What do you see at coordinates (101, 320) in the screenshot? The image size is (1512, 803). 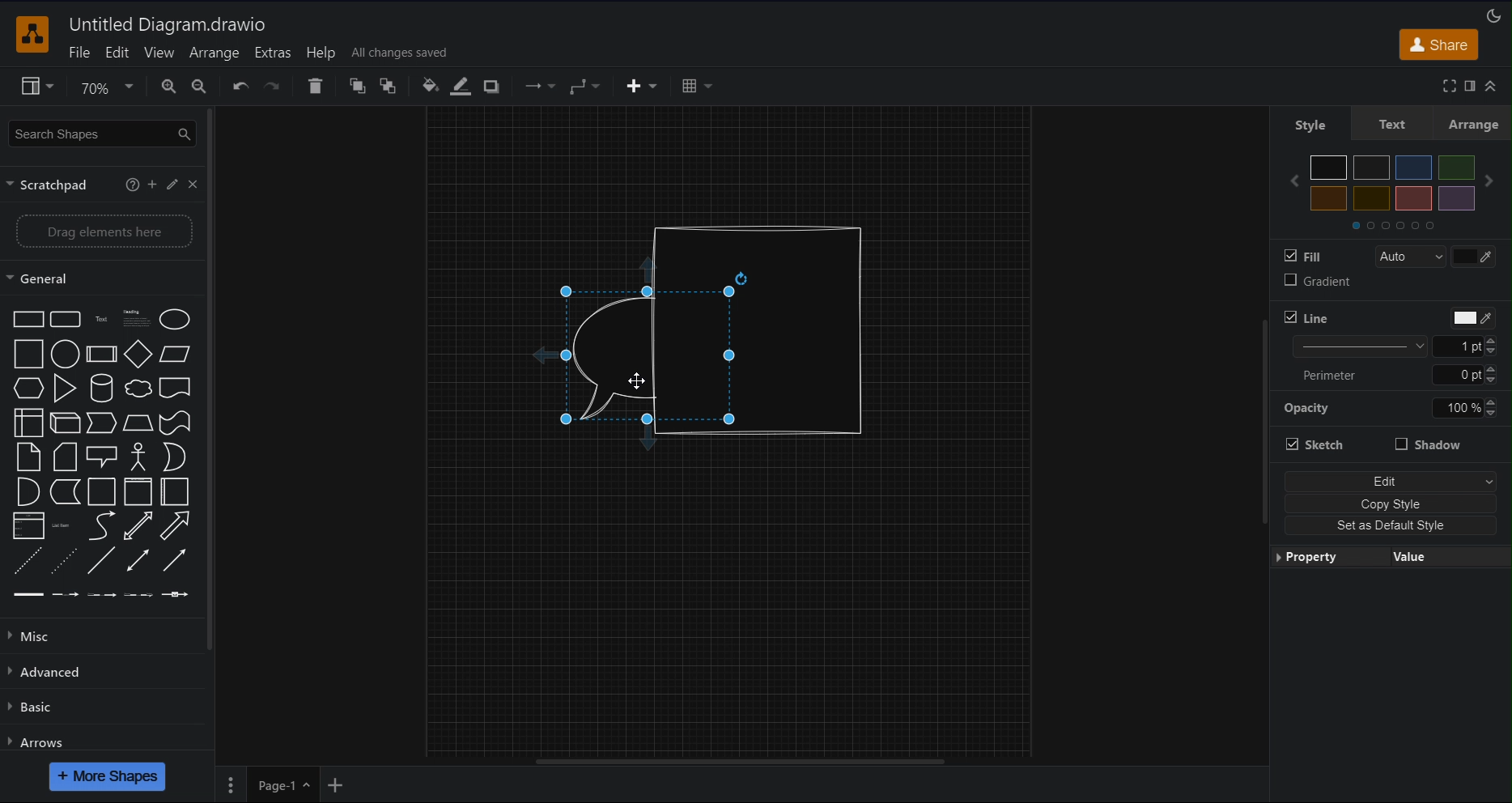 I see `Text` at bounding box center [101, 320].